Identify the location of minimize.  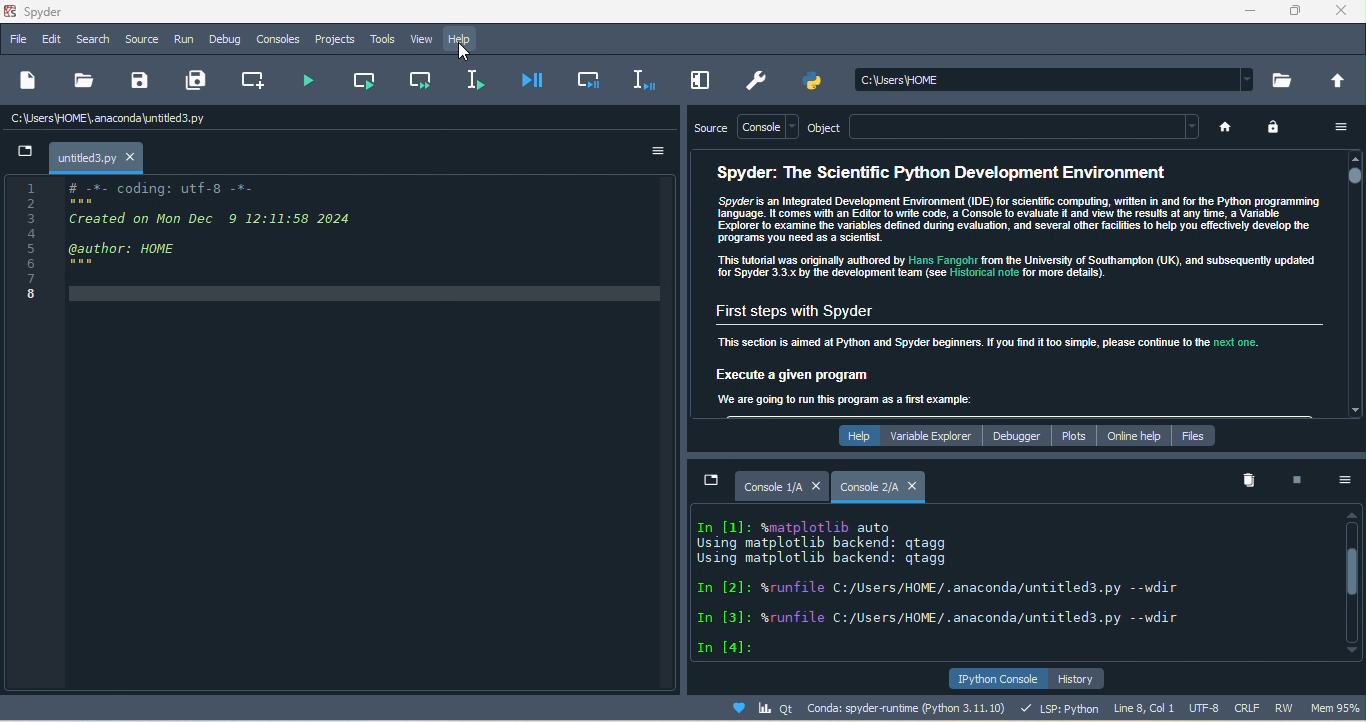
(26, 154).